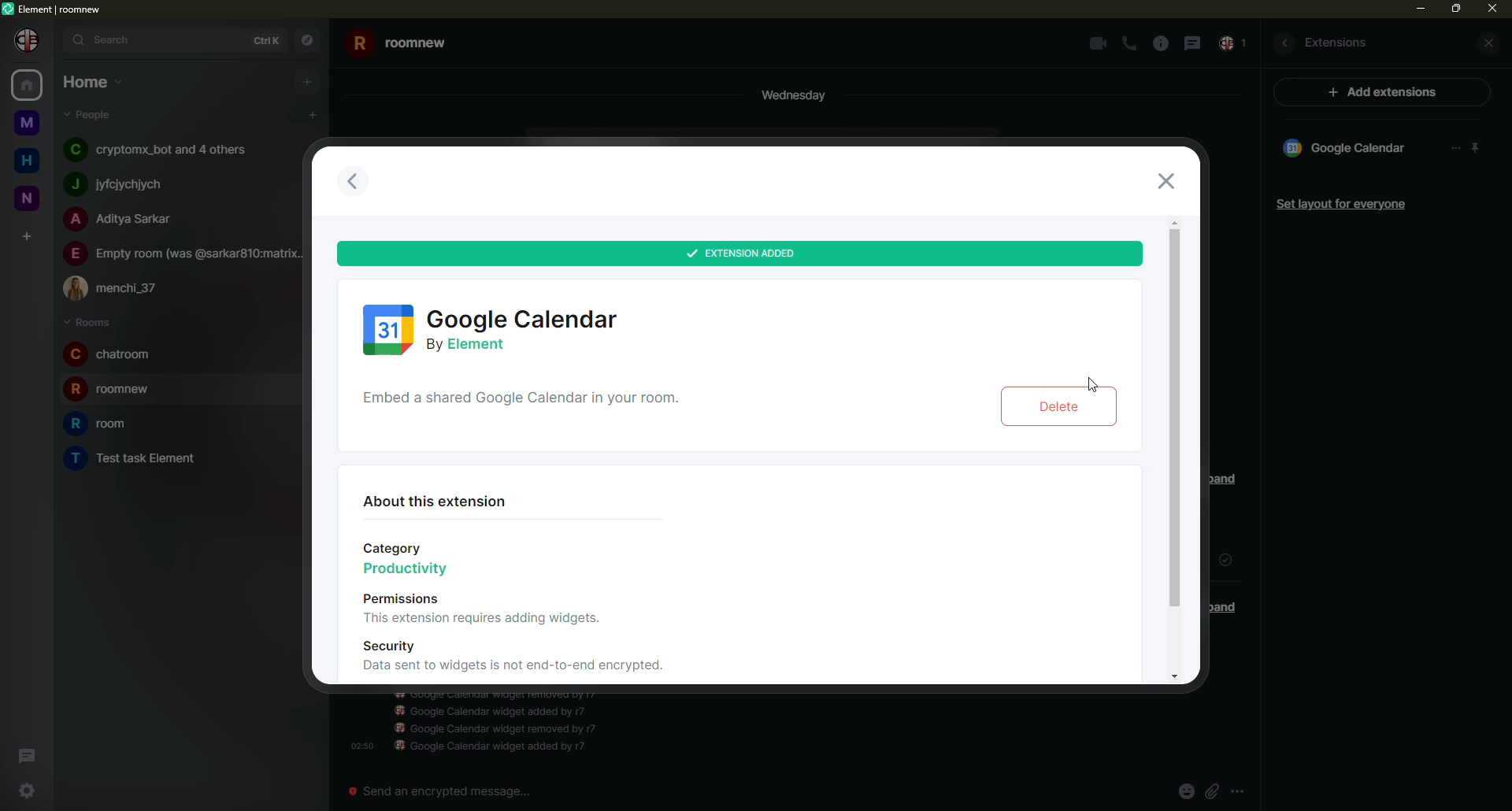  What do you see at coordinates (1339, 43) in the screenshot?
I see `extesions` at bounding box center [1339, 43].